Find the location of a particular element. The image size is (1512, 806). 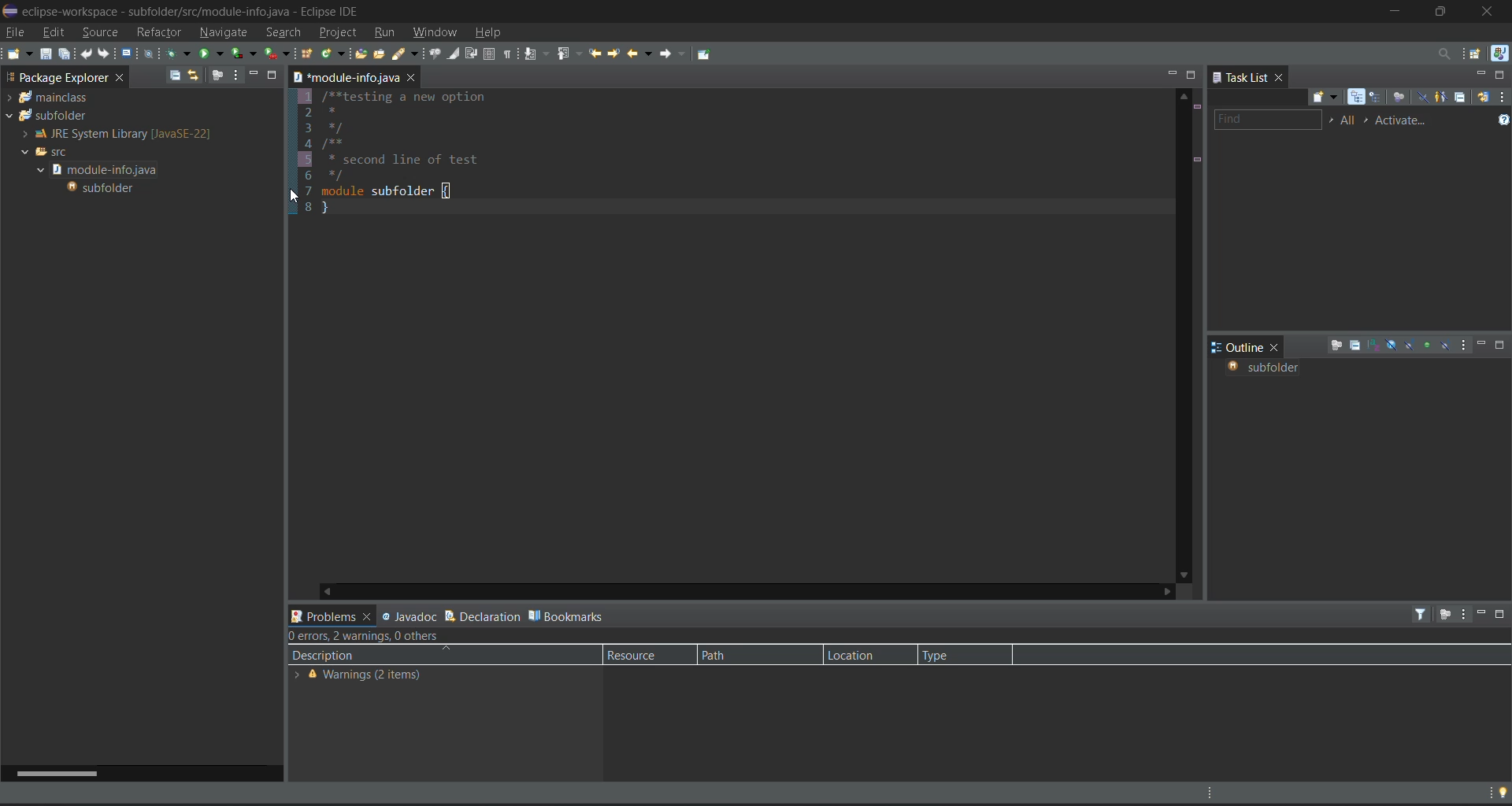

focus on active task is located at coordinates (219, 74).